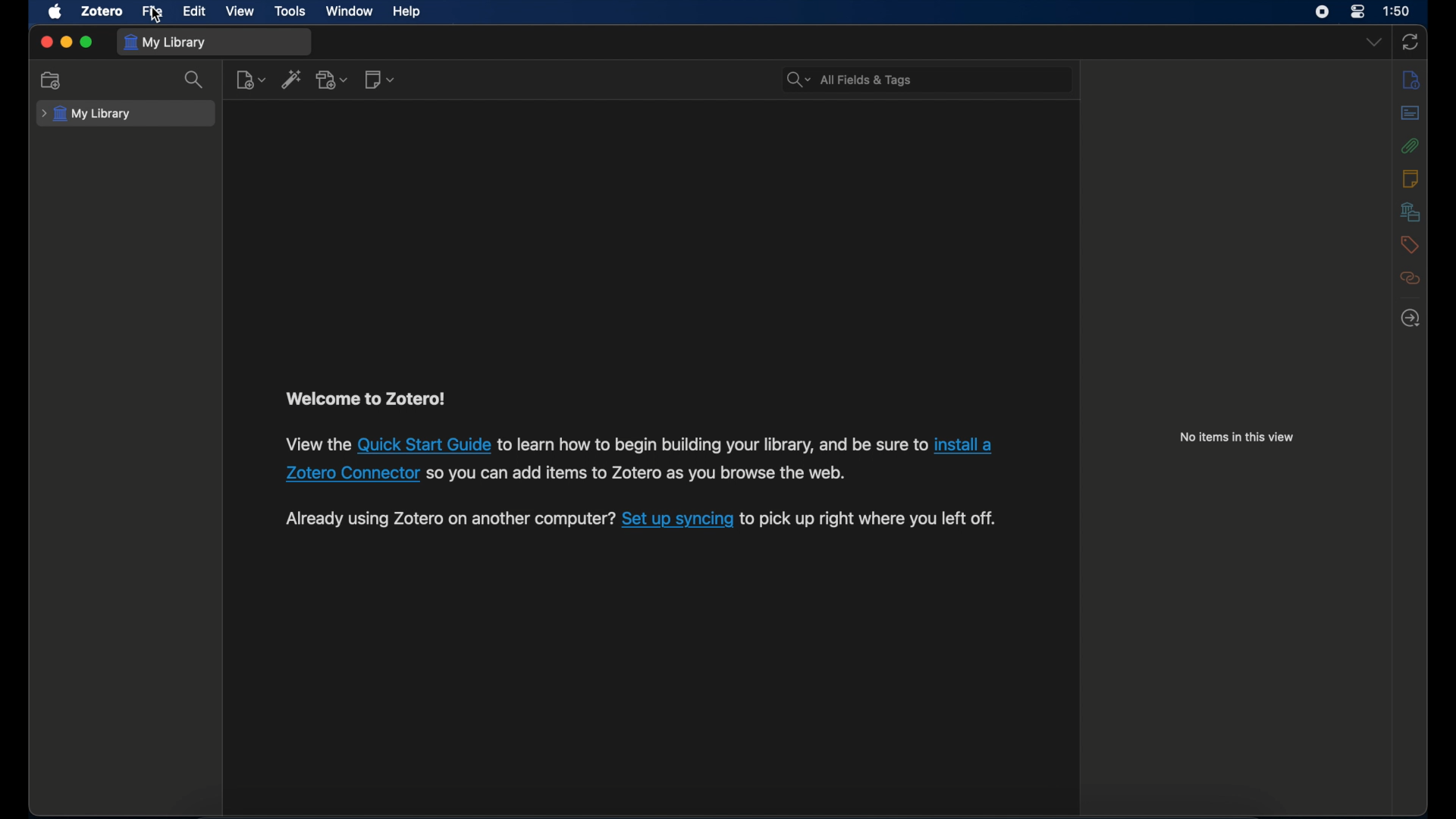 Image resolution: width=1456 pixels, height=819 pixels. Describe the element at coordinates (1409, 42) in the screenshot. I see `sync` at that location.